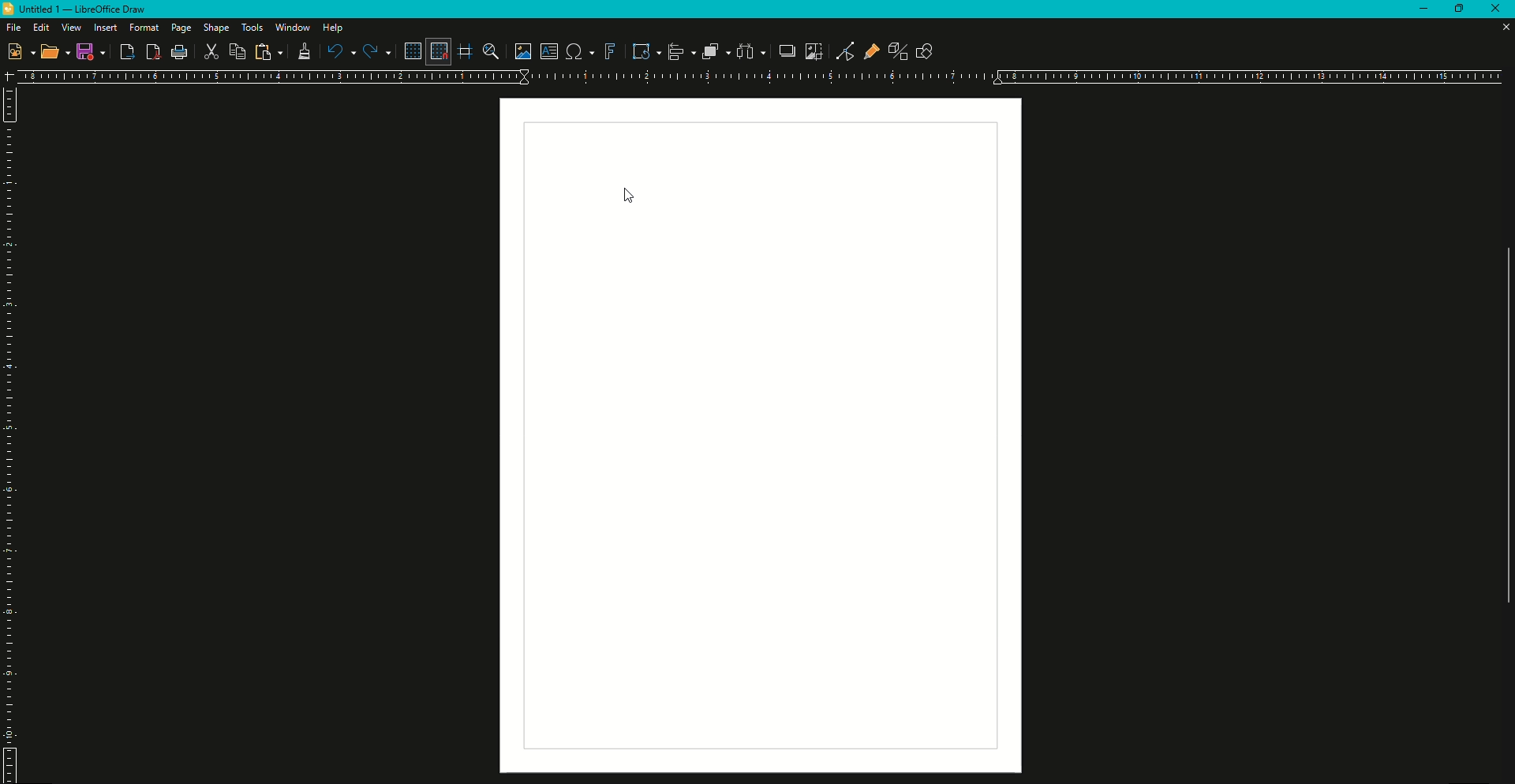  I want to click on Close, so click(1498, 9).